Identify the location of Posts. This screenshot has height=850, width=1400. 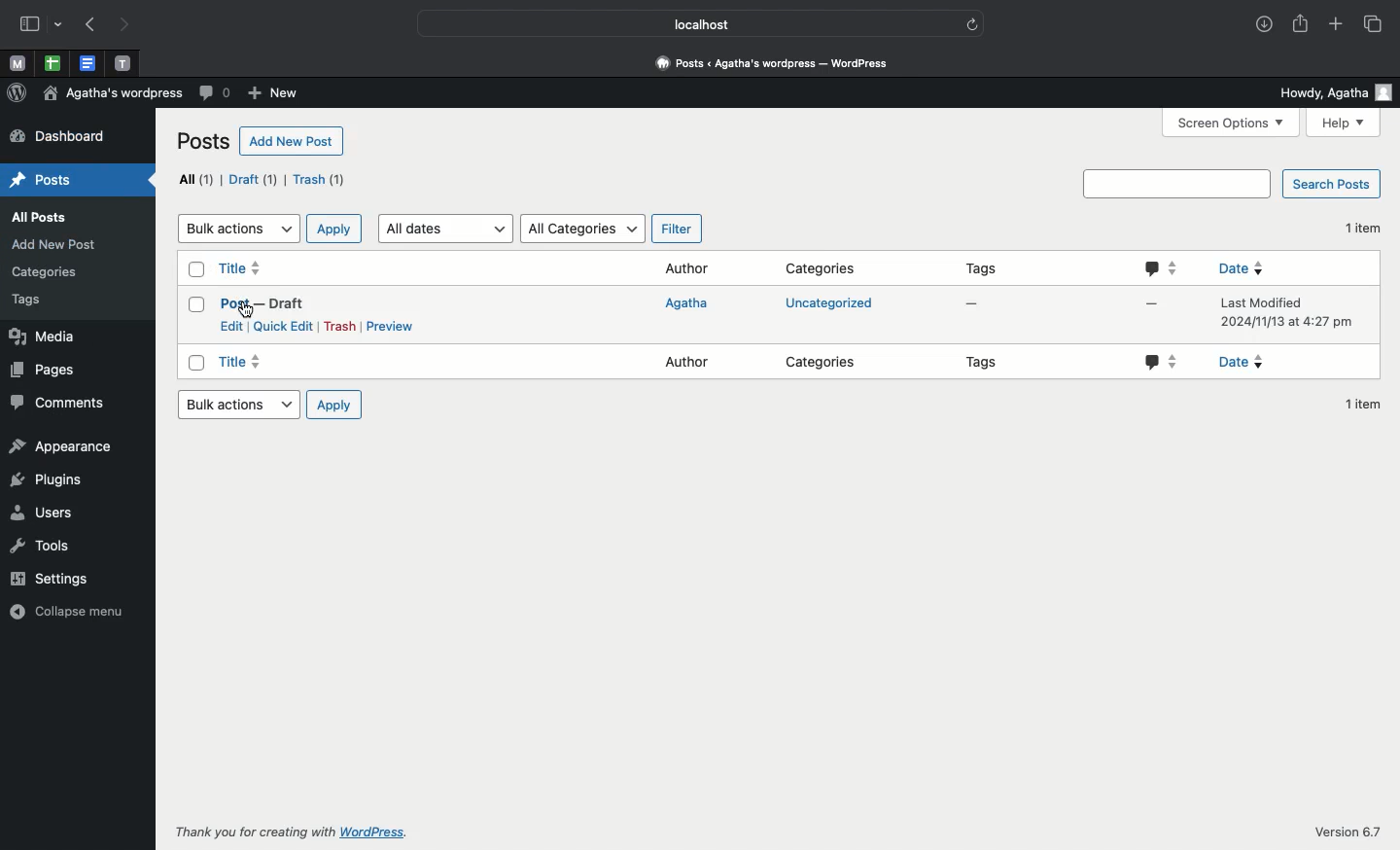
(65, 181).